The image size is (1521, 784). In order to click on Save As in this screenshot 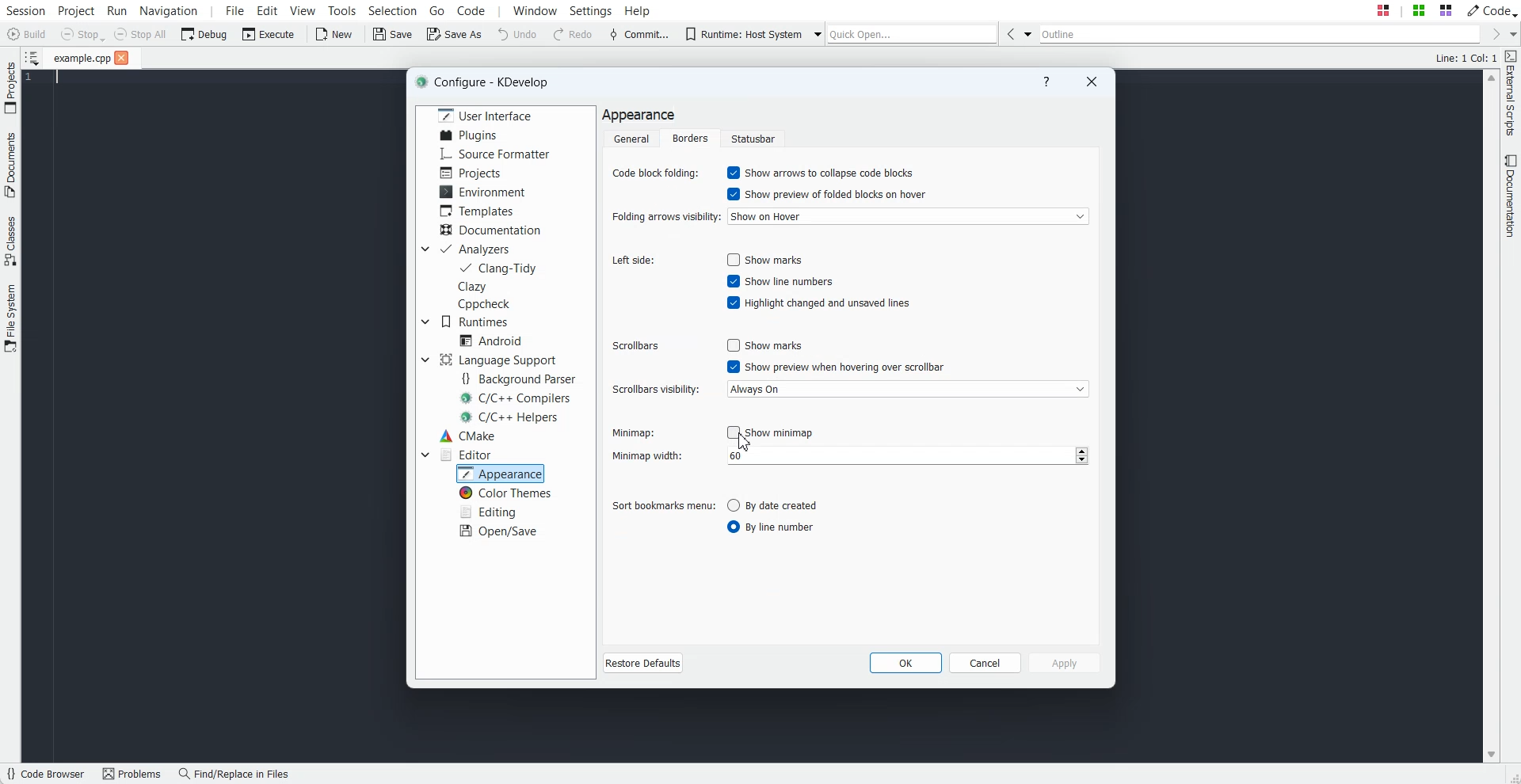, I will do `click(452, 33)`.